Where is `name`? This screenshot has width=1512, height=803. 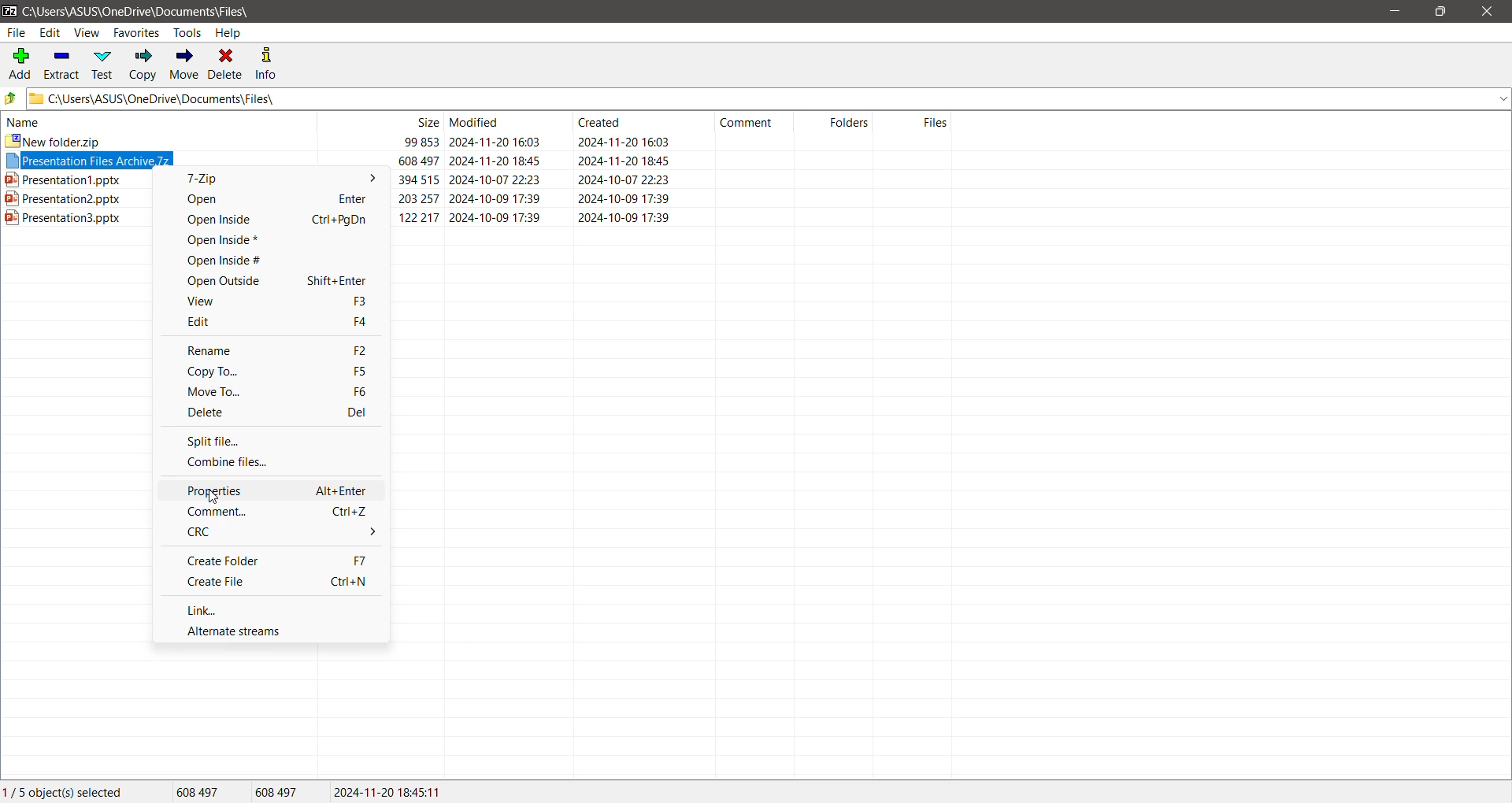 name is located at coordinates (156, 121).